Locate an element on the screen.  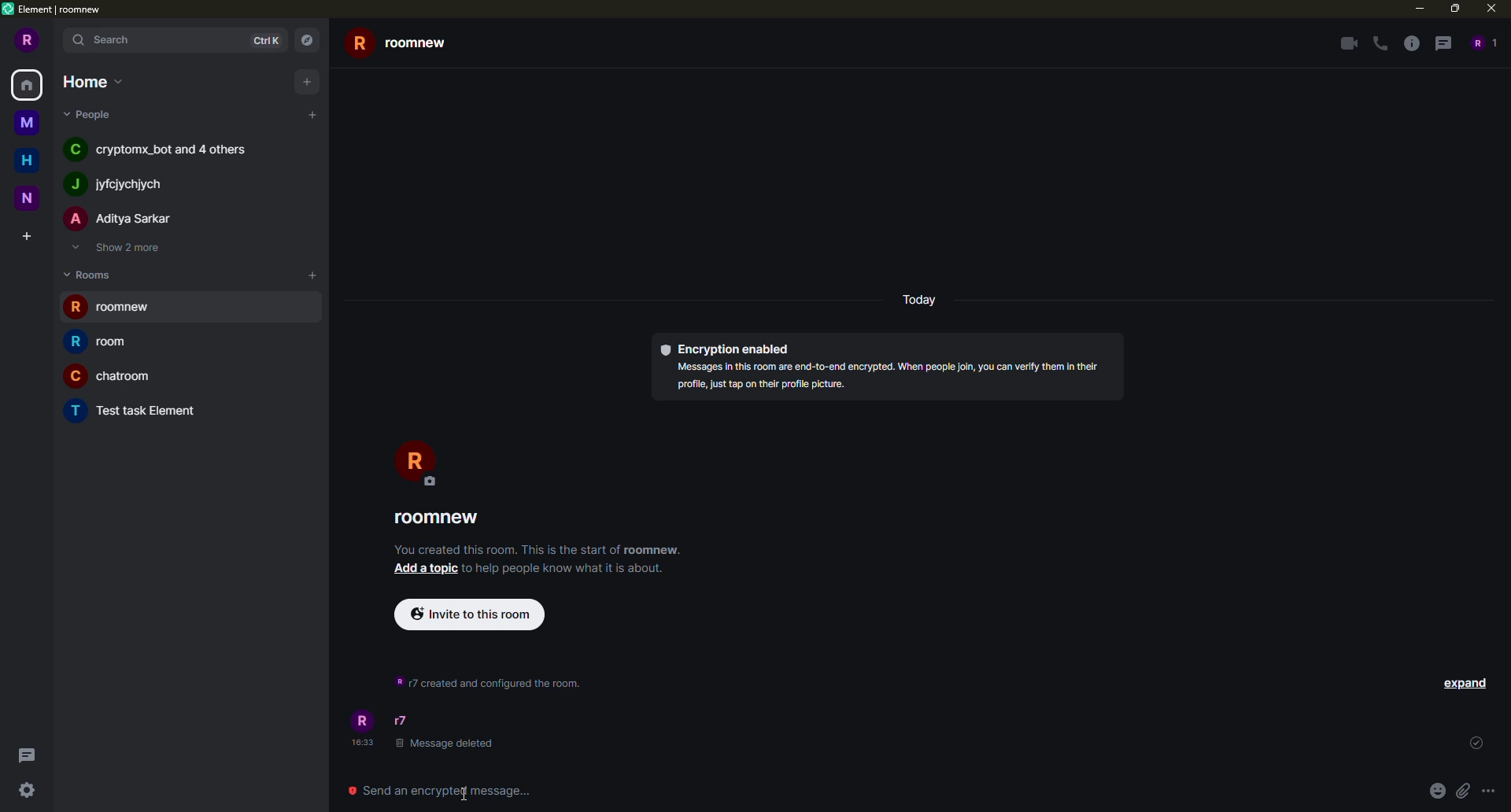
voice call is located at coordinates (1377, 44).